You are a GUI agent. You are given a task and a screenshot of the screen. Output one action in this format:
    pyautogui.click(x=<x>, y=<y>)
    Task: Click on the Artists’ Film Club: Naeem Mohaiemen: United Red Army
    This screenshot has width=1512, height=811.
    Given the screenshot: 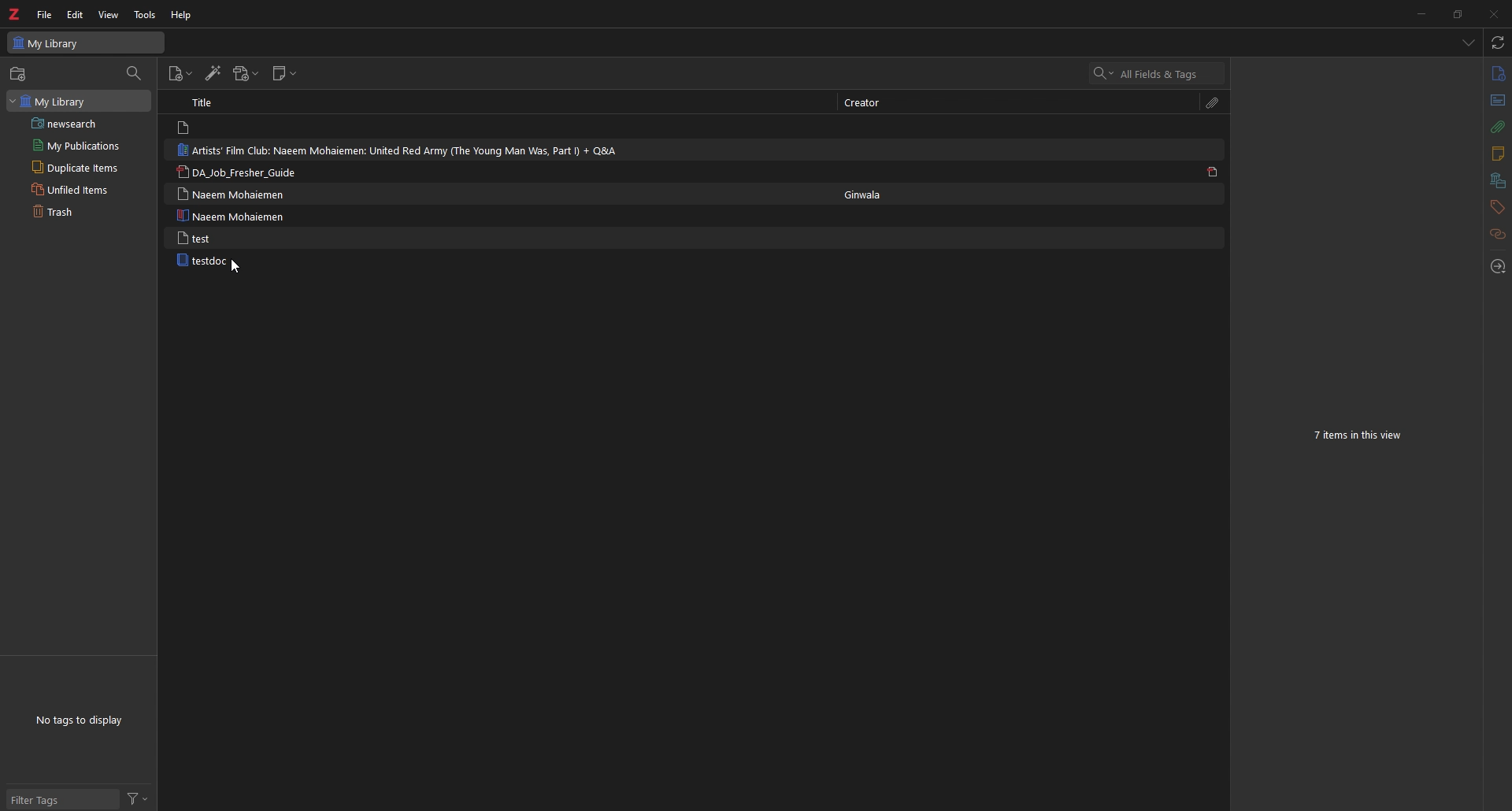 What is the action you would take?
    pyautogui.click(x=409, y=150)
    